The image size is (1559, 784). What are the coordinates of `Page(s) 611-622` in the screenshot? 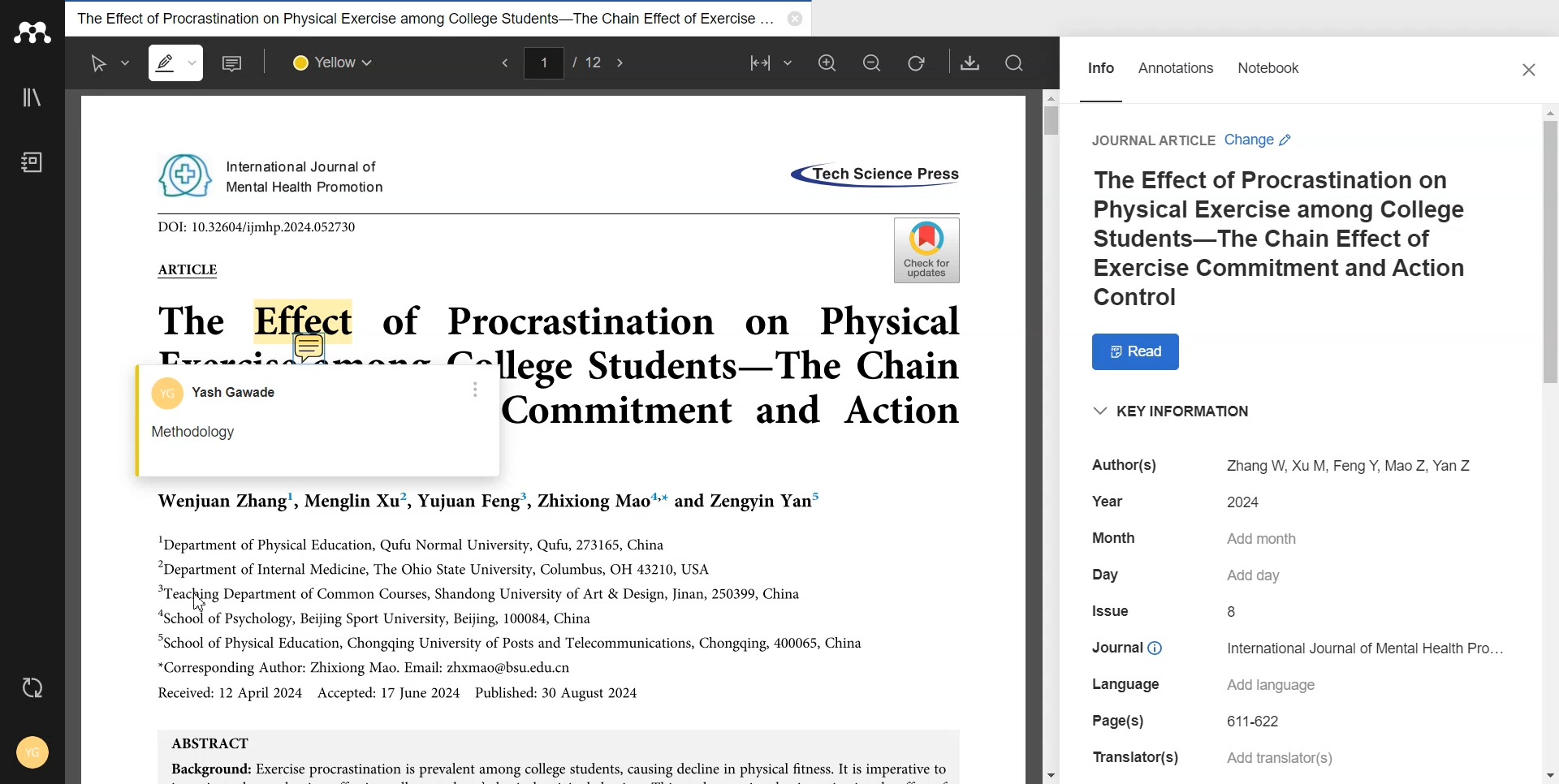 It's located at (1193, 722).